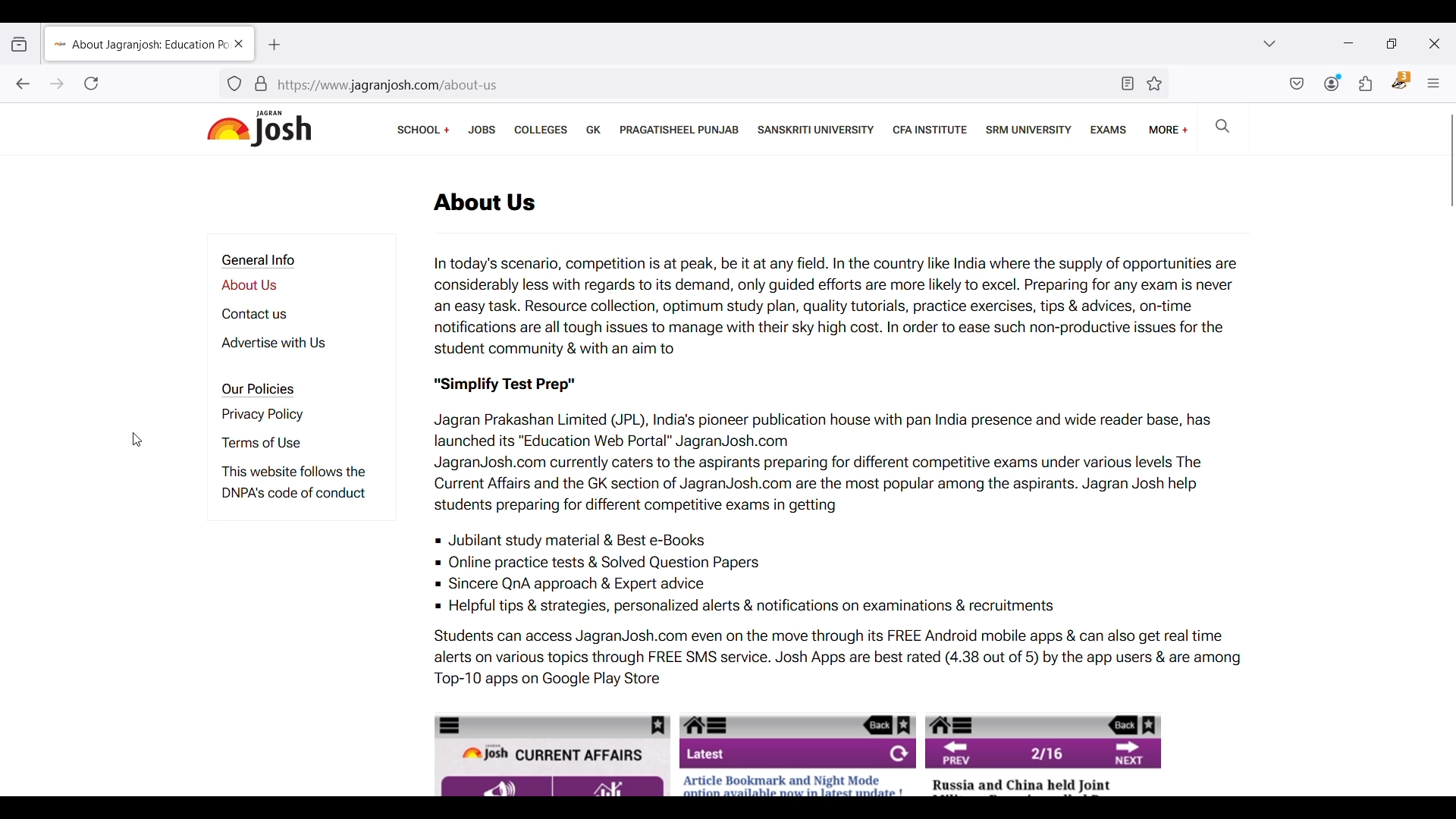 Image resolution: width=1456 pixels, height=819 pixels. I want to click on More linked pages, so click(1169, 130).